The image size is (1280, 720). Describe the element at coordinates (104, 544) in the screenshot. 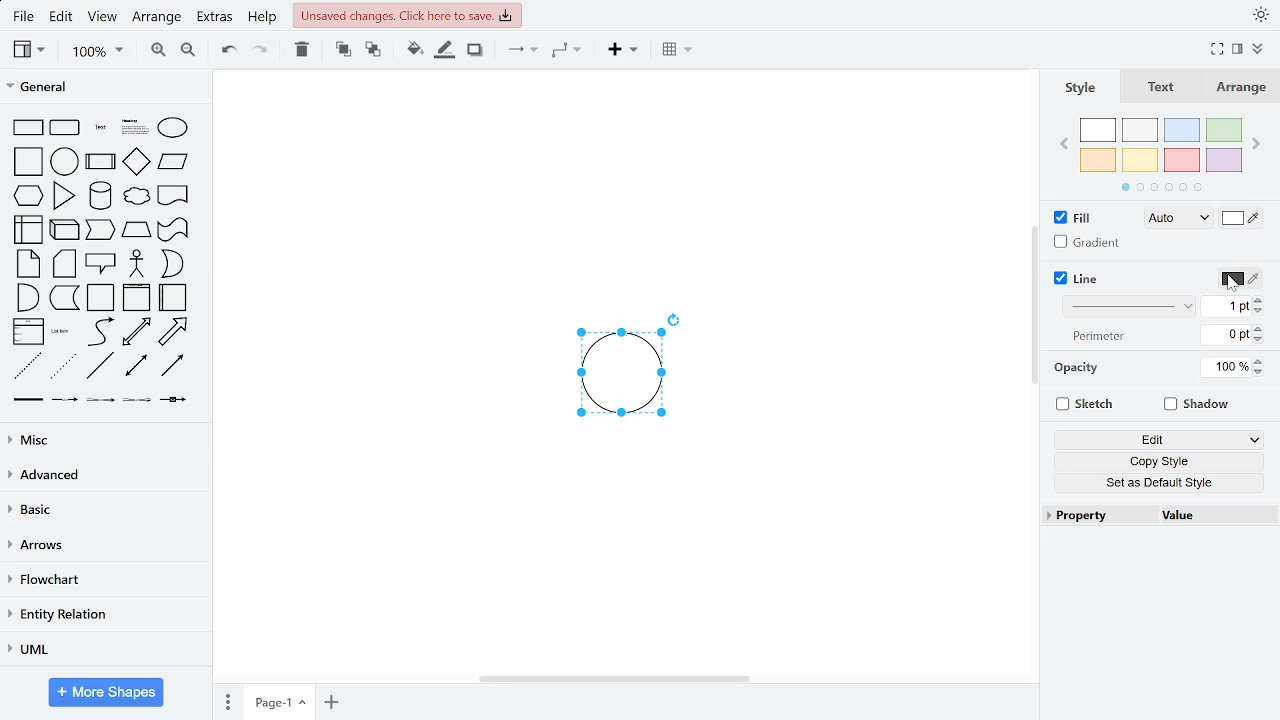

I see `arrows` at that location.